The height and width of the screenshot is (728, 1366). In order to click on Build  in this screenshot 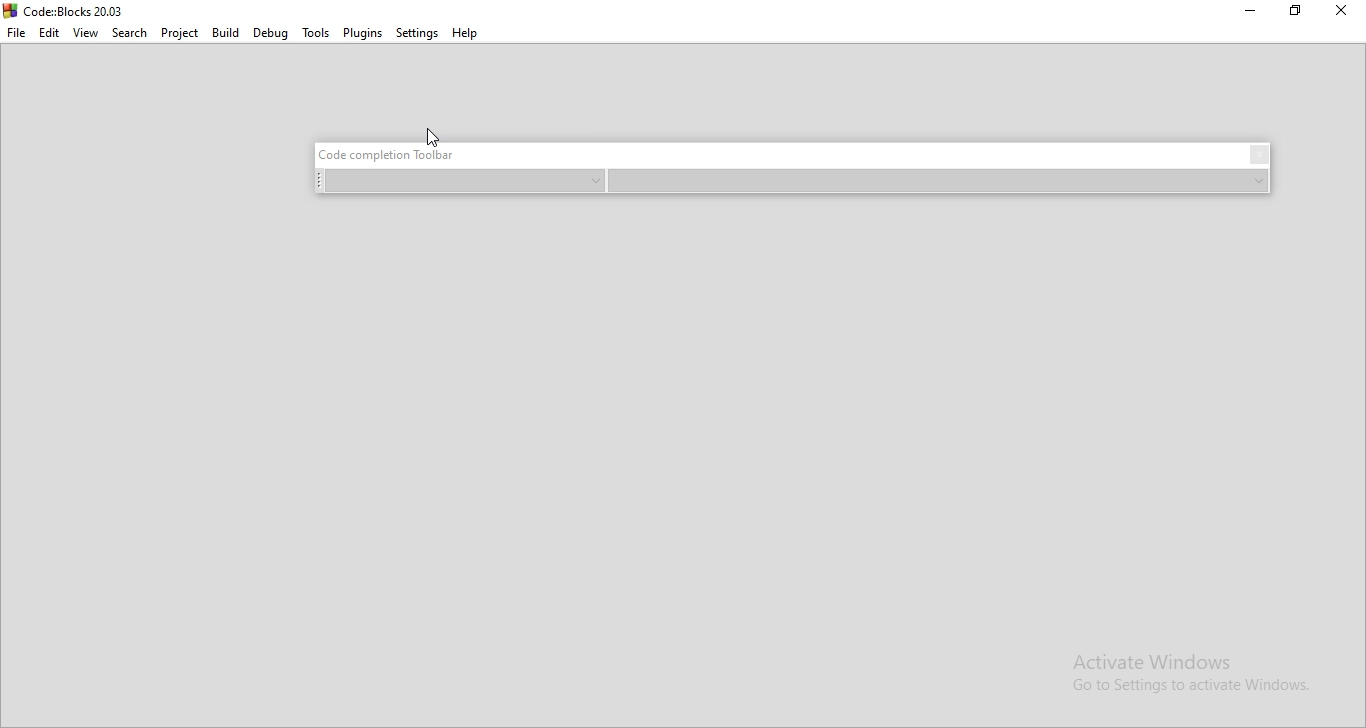, I will do `click(223, 33)`.